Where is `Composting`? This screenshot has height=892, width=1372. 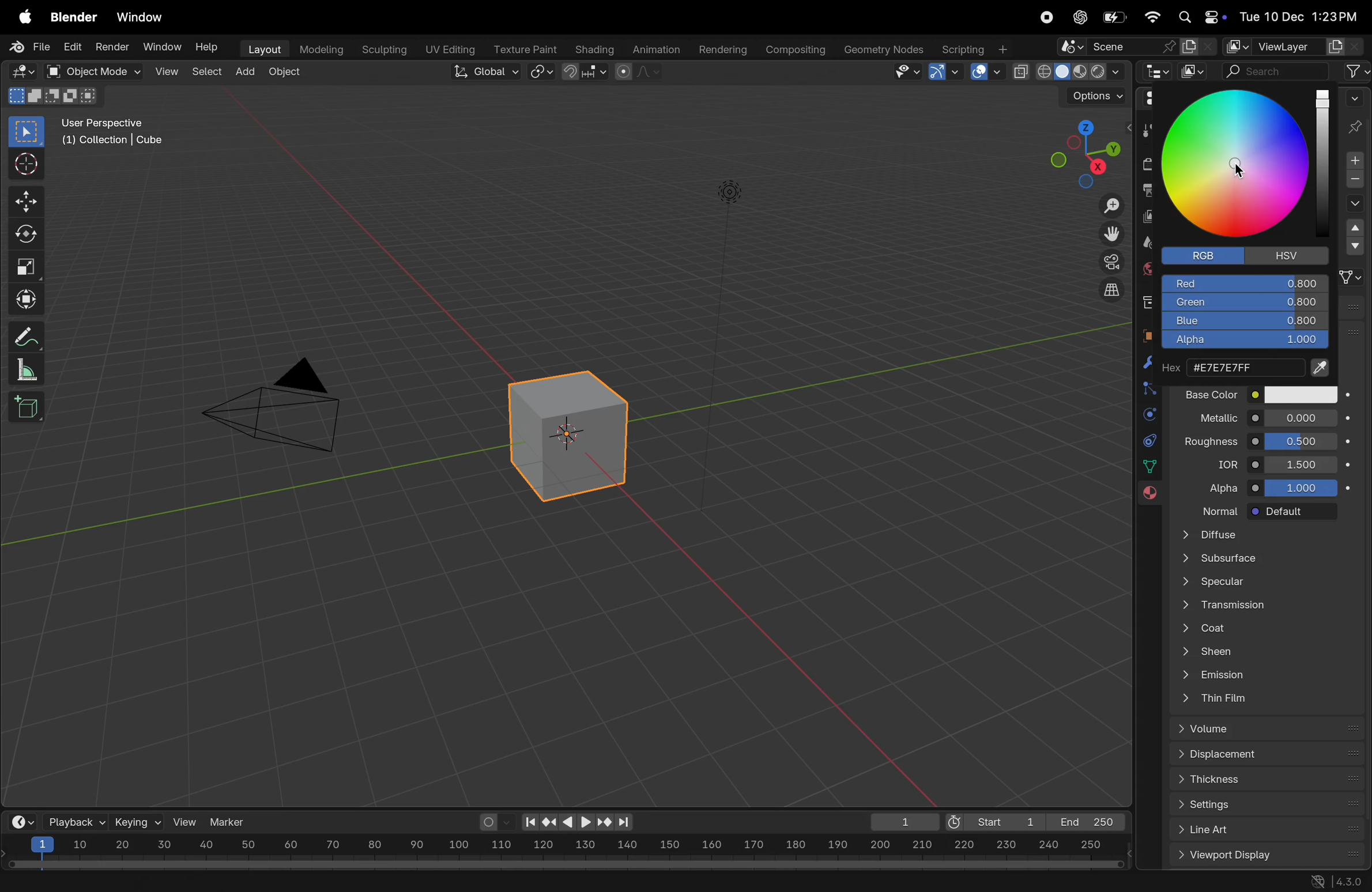 Composting is located at coordinates (796, 50).